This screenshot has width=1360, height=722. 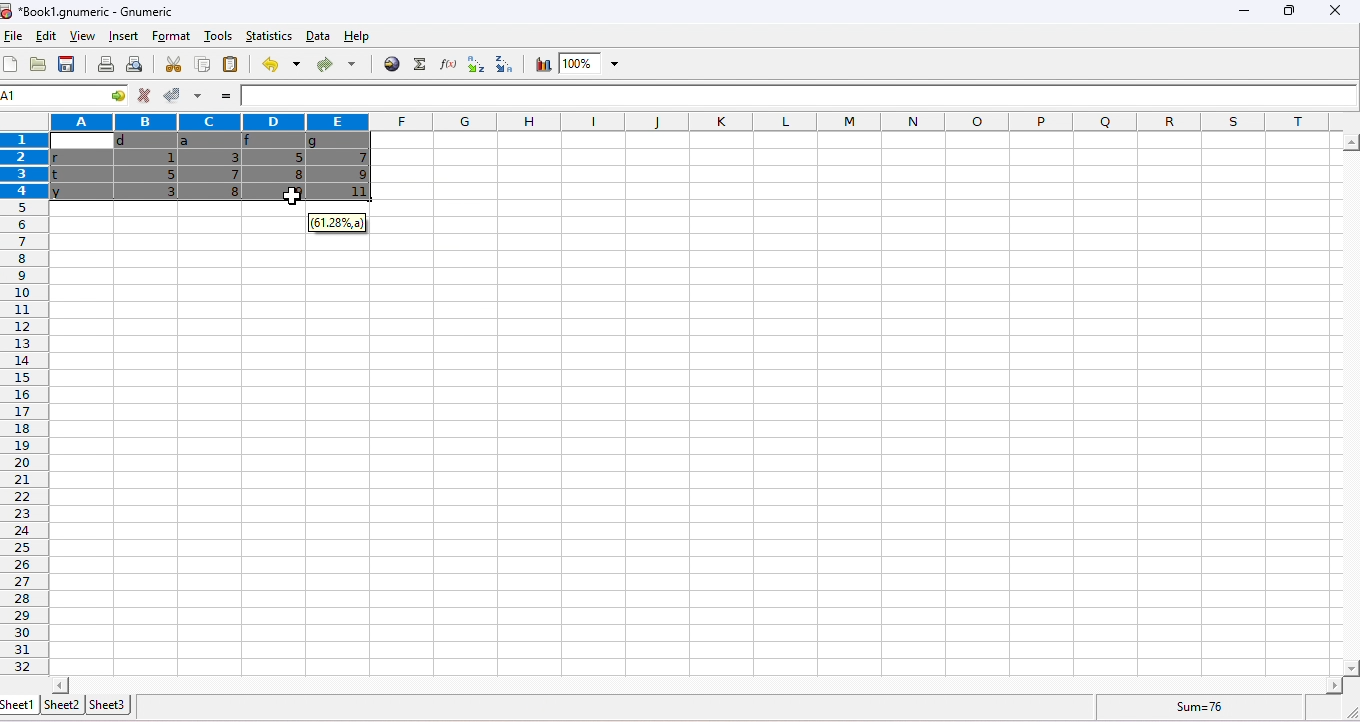 I want to click on insert hyperlink, so click(x=392, y=63).